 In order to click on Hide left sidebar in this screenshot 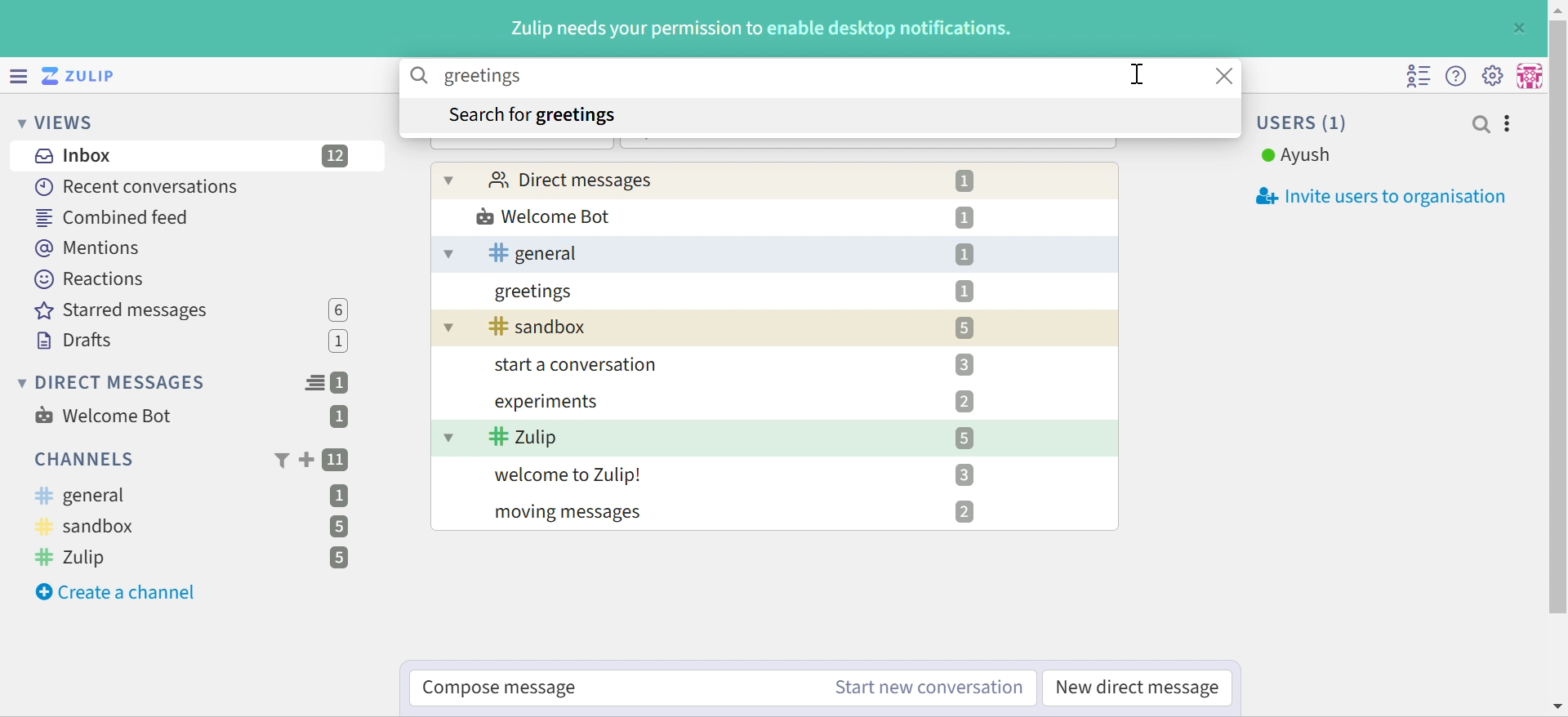, I will do `click(16, 74)`.